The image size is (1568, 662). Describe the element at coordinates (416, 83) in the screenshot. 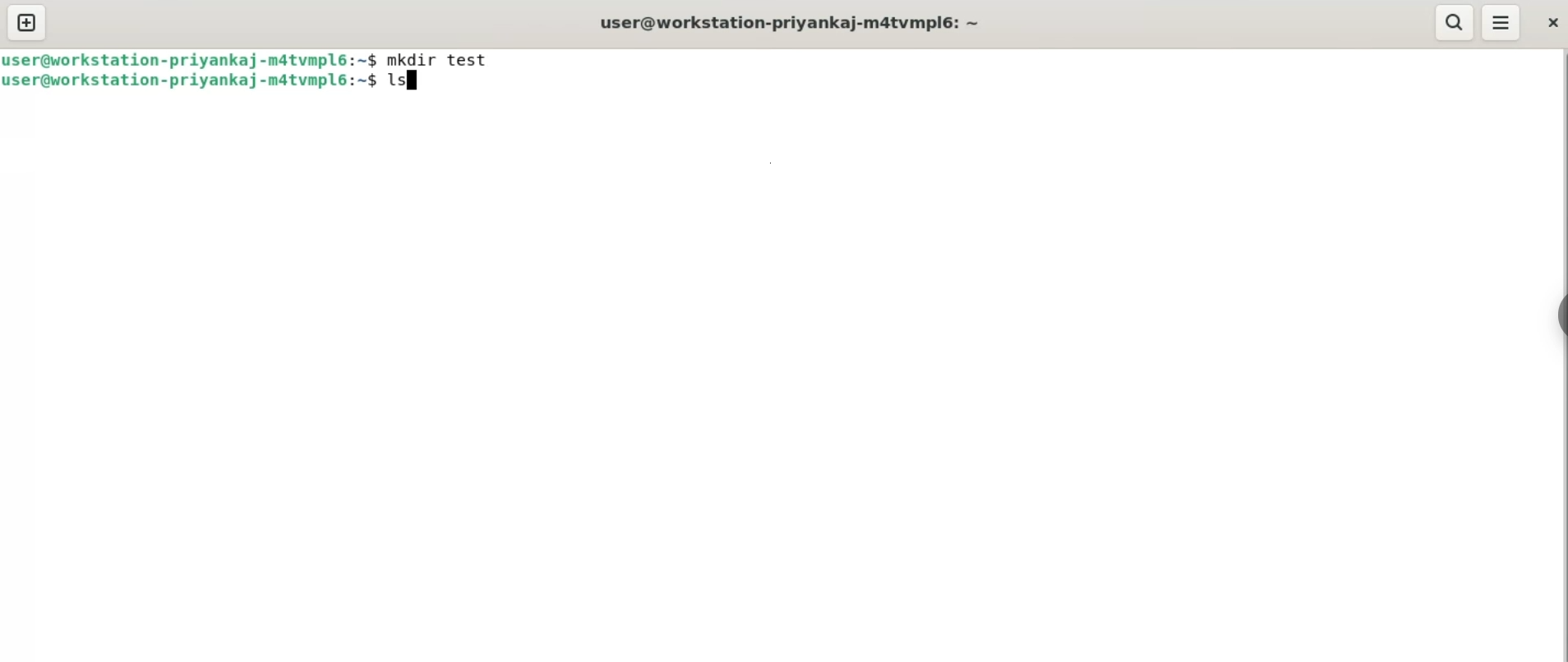

I see `cursor` at that location.